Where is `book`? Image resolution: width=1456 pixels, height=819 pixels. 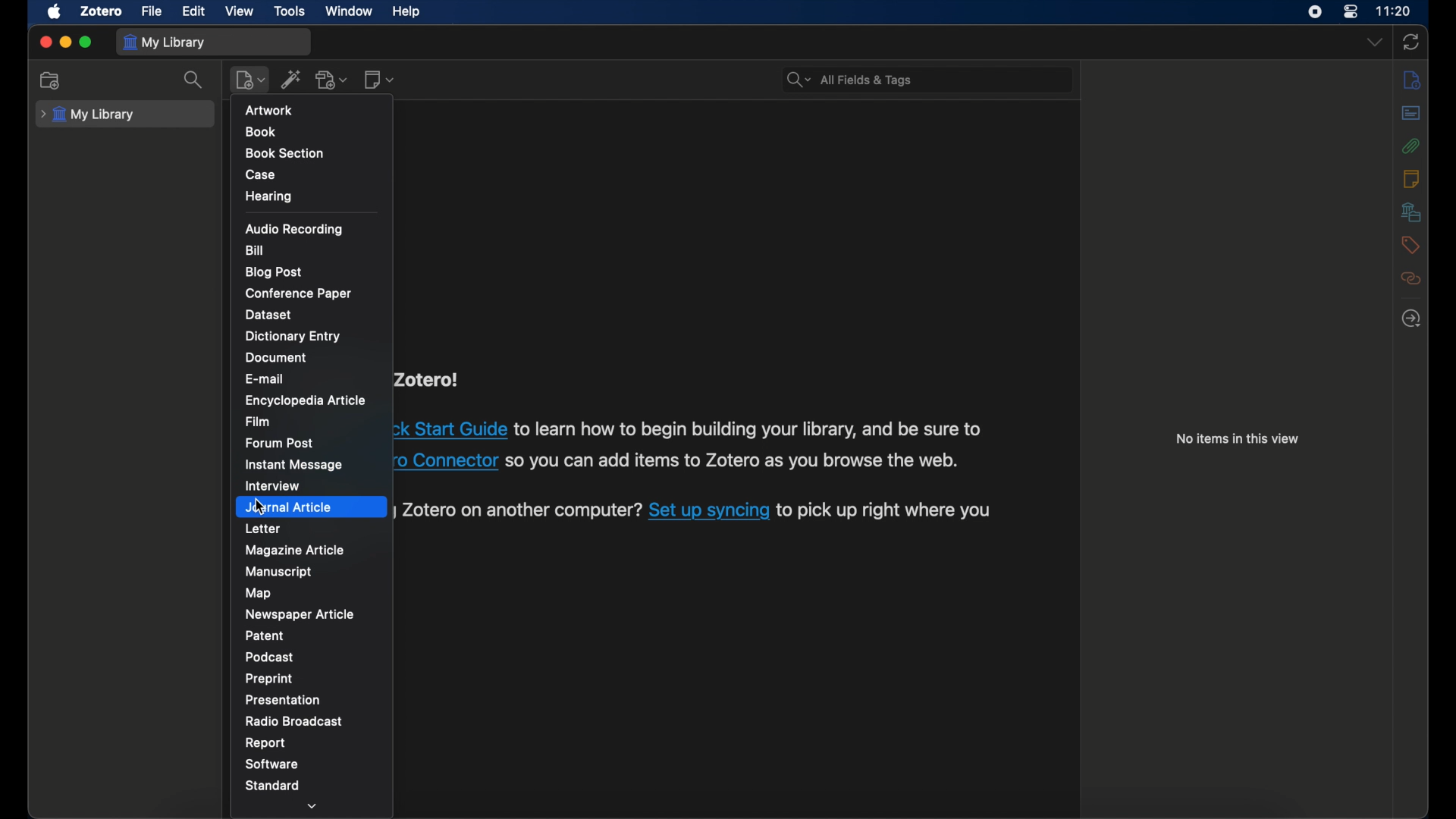 book is located at coordinates (260, 132).